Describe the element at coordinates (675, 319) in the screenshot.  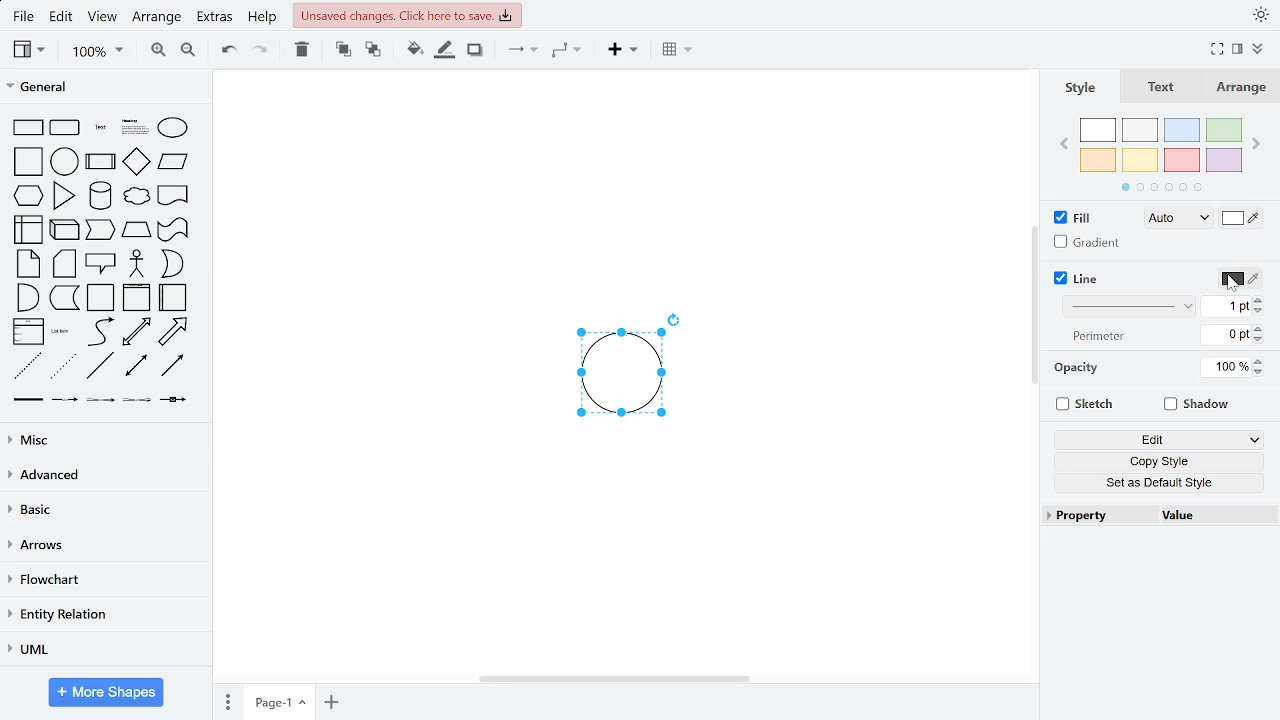
I see `rotate diagram` at that location.